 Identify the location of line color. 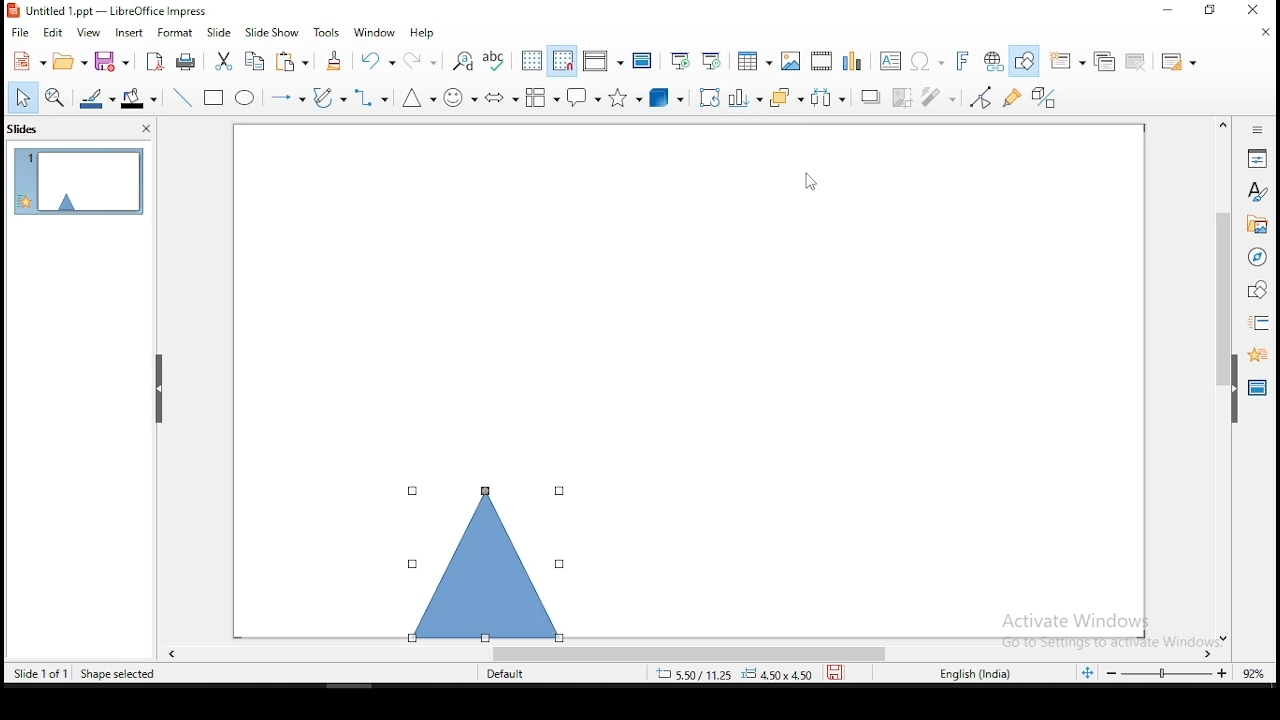
(97, 97).